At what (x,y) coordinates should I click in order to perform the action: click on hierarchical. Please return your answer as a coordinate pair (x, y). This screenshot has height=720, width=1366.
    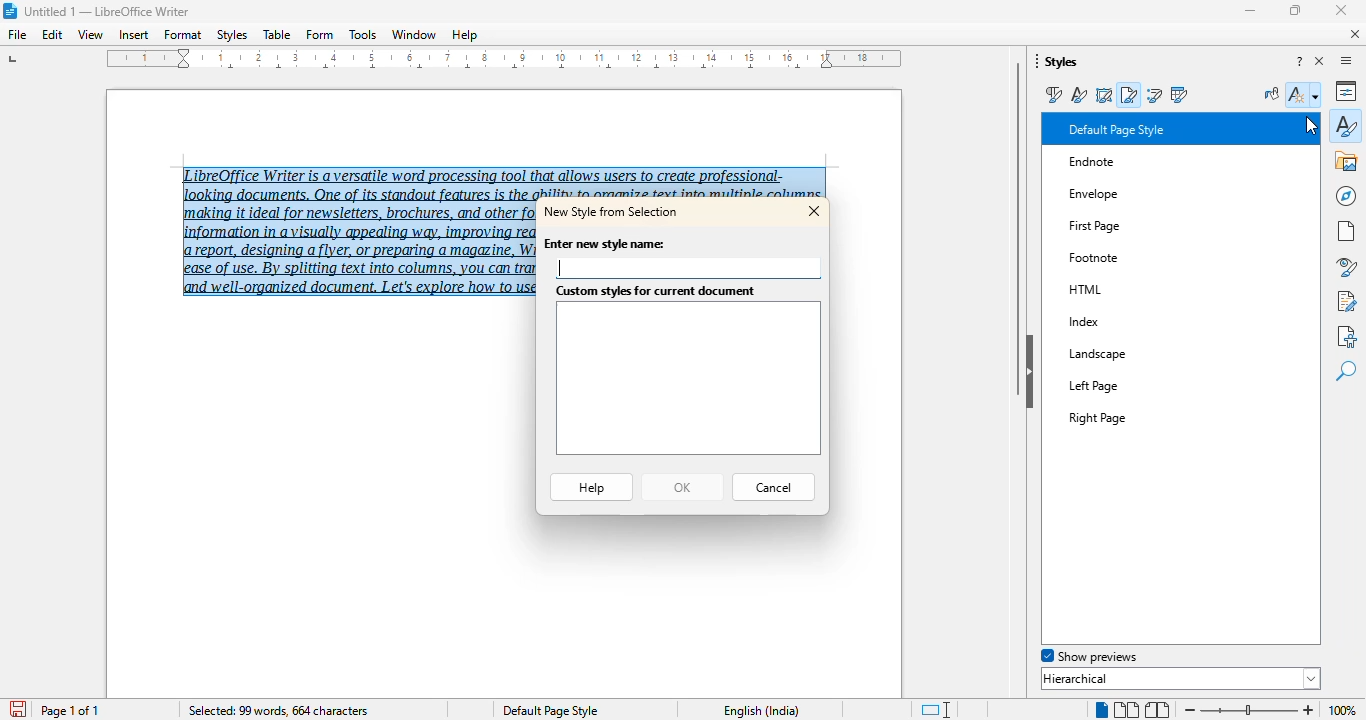
    Looking at the image, I should click on (1181, 678).